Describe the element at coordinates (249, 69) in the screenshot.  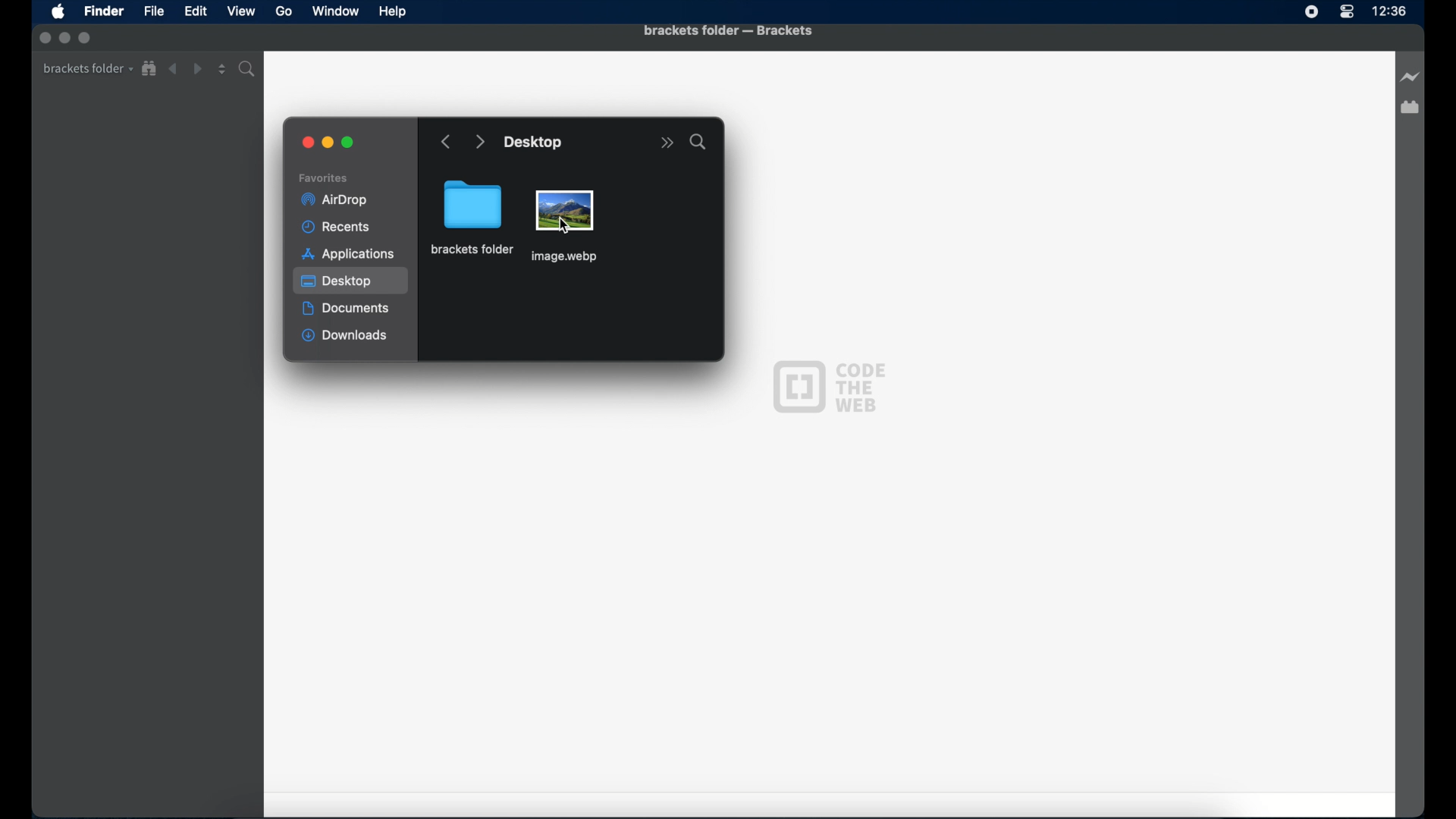
I see `find in folder` at that location.